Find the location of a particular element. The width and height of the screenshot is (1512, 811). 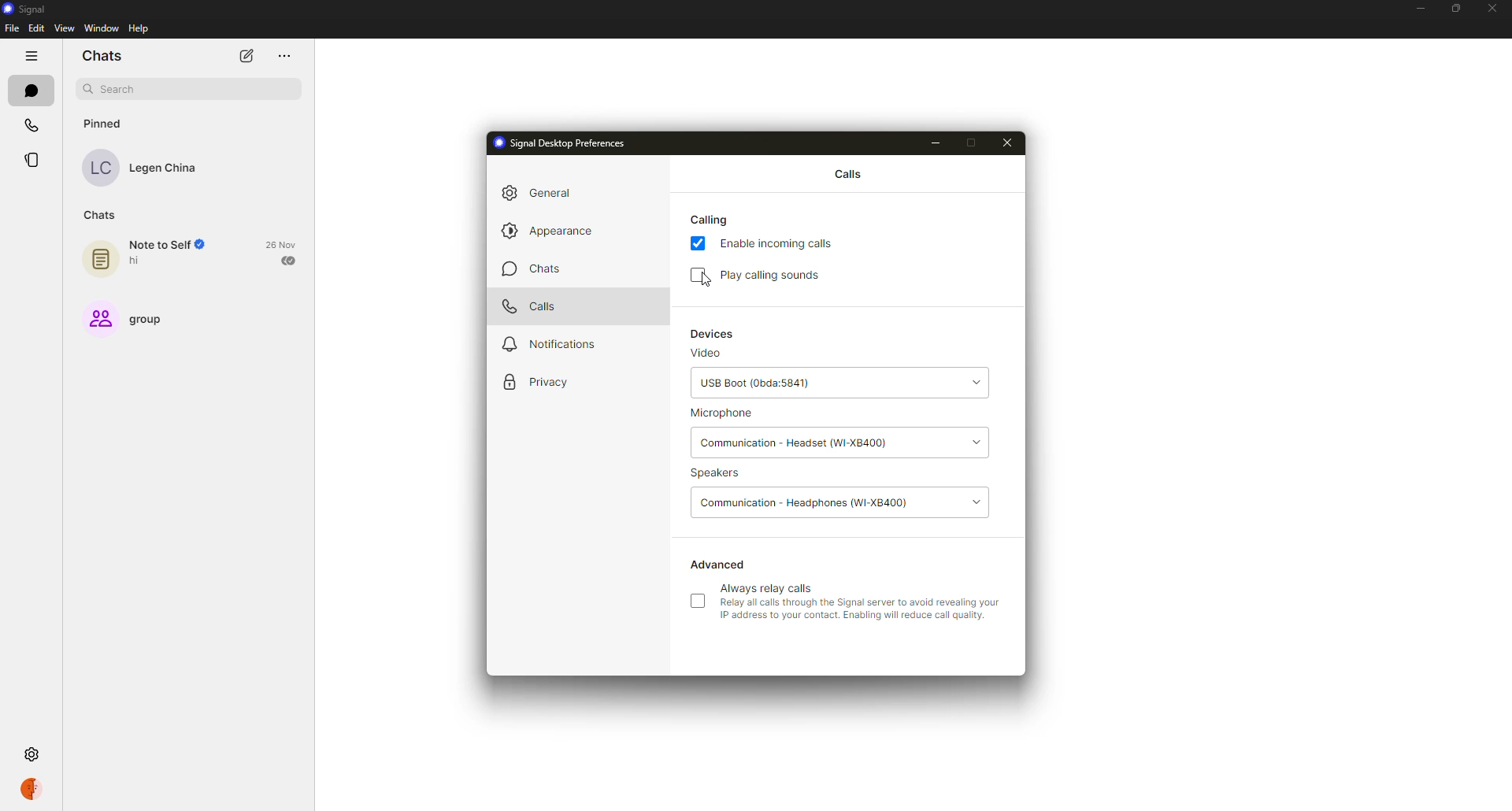

Verified is located at coordinates (206, 246).